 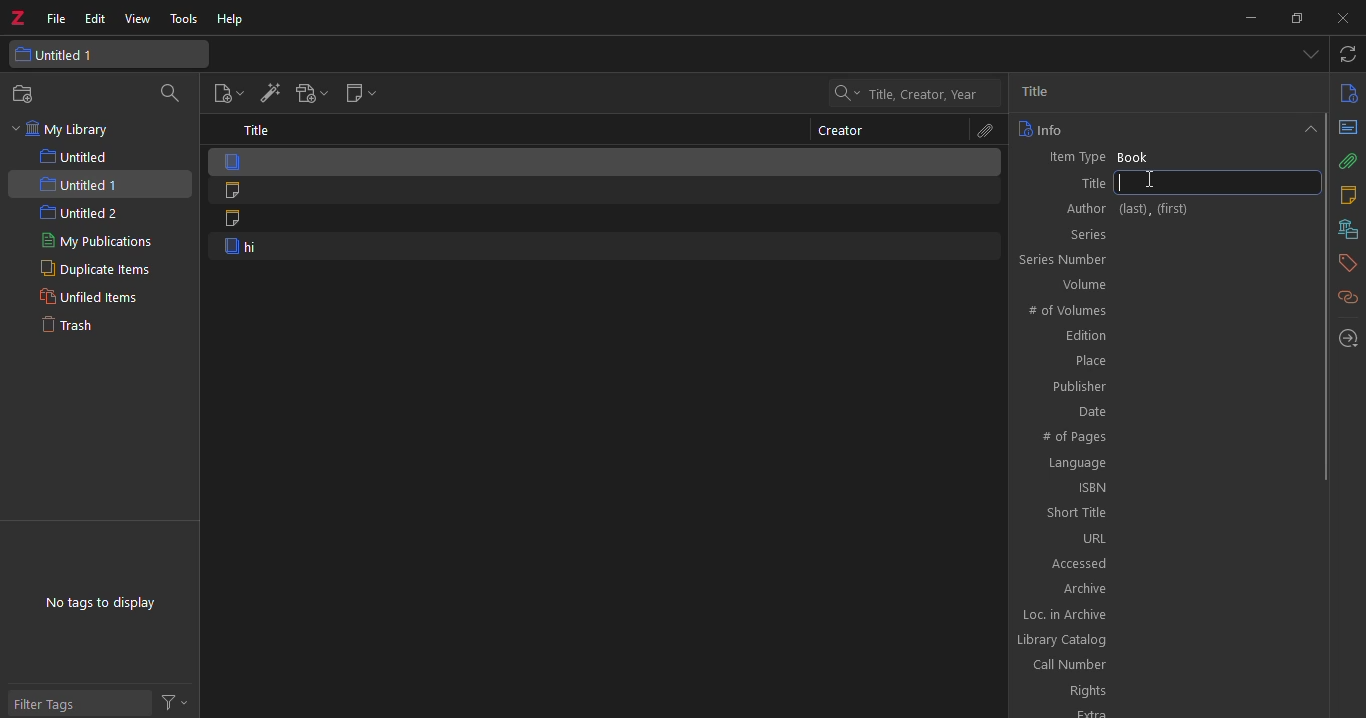 I want to click on number of pages, so click(x=1167, y=435).